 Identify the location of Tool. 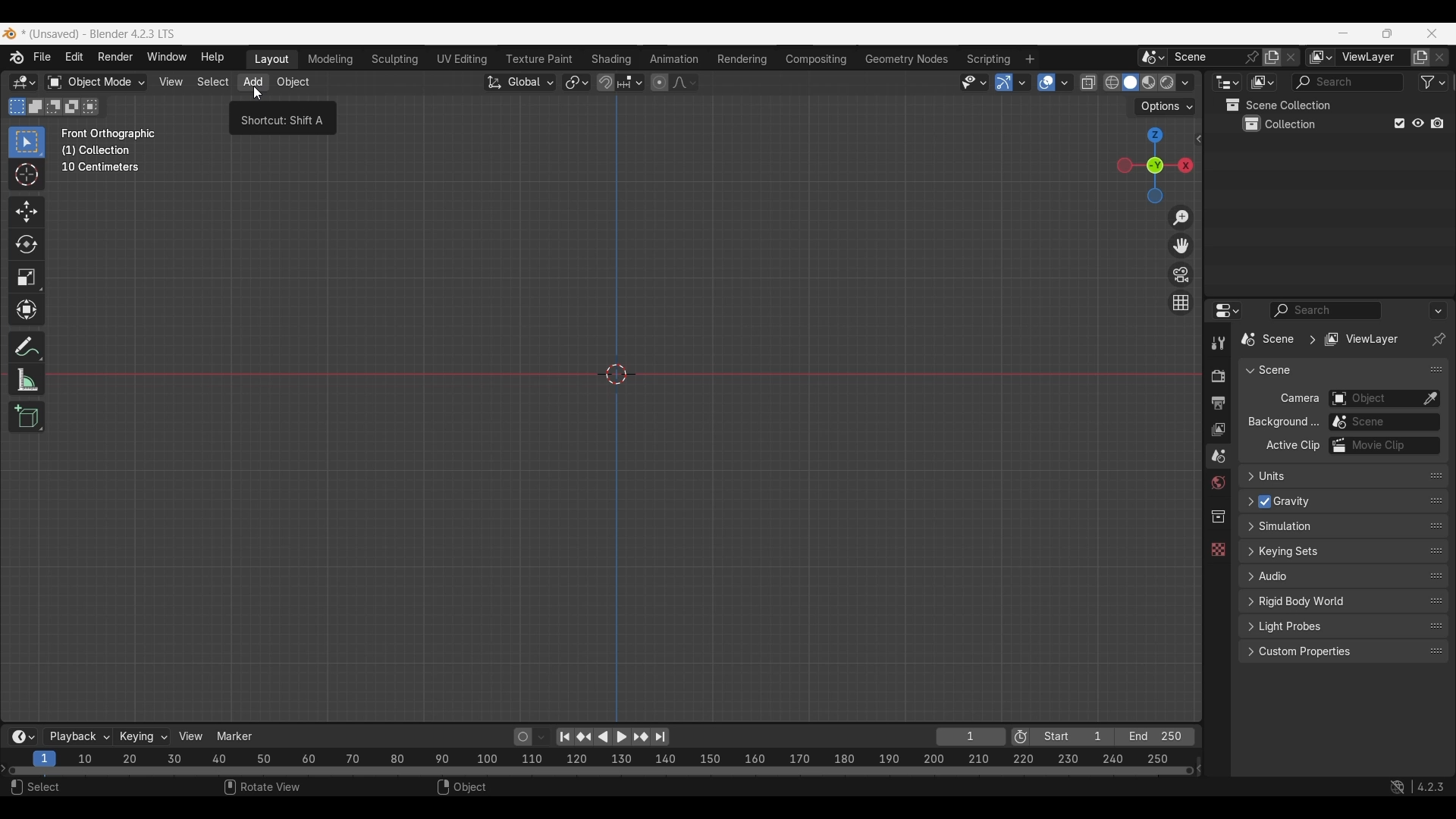
(1218, 343).